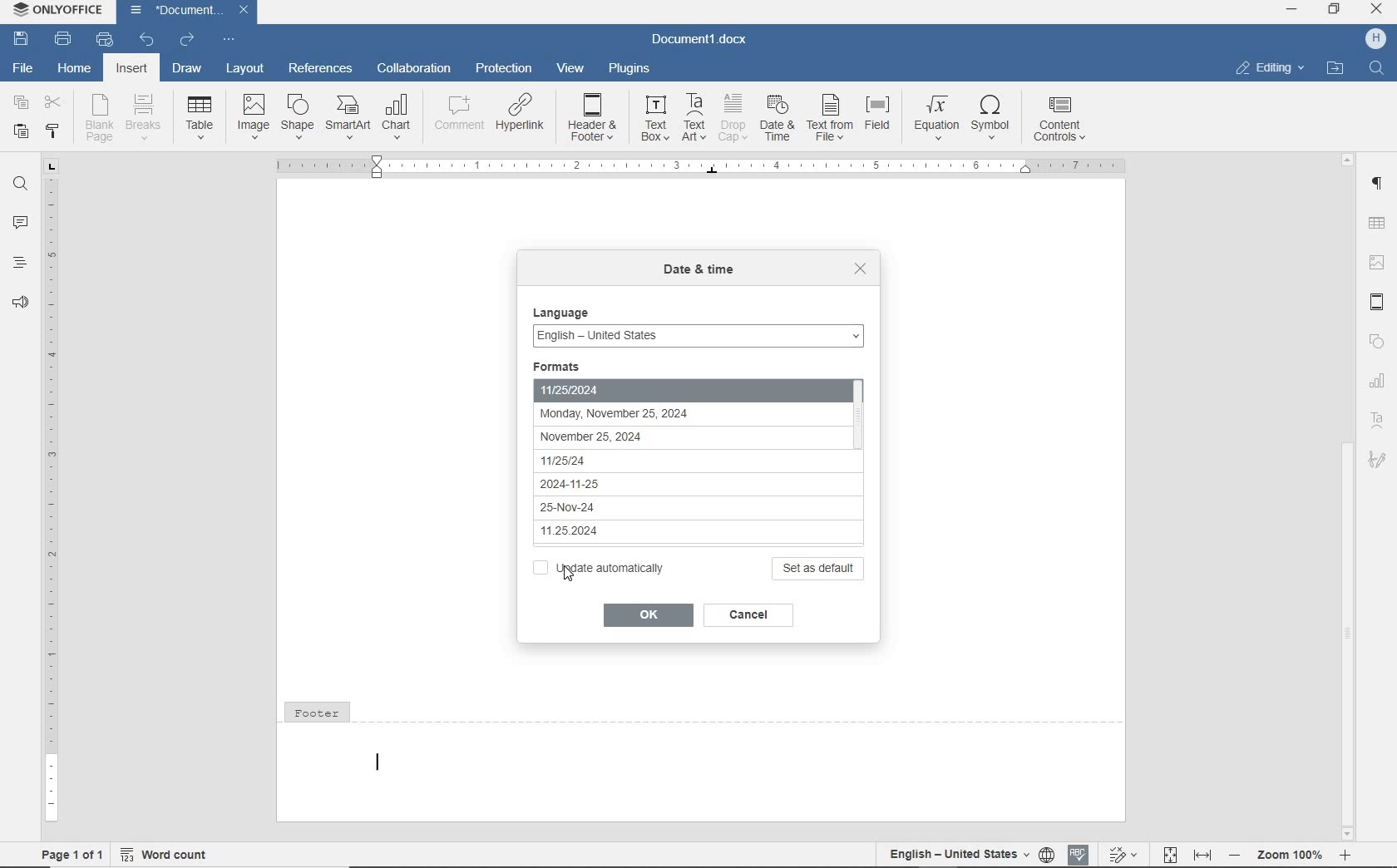 The image size is (1397, 868). Describe the element at coordinates (52, 132) in the screenshot. I see `COPY STYLE` at that location.